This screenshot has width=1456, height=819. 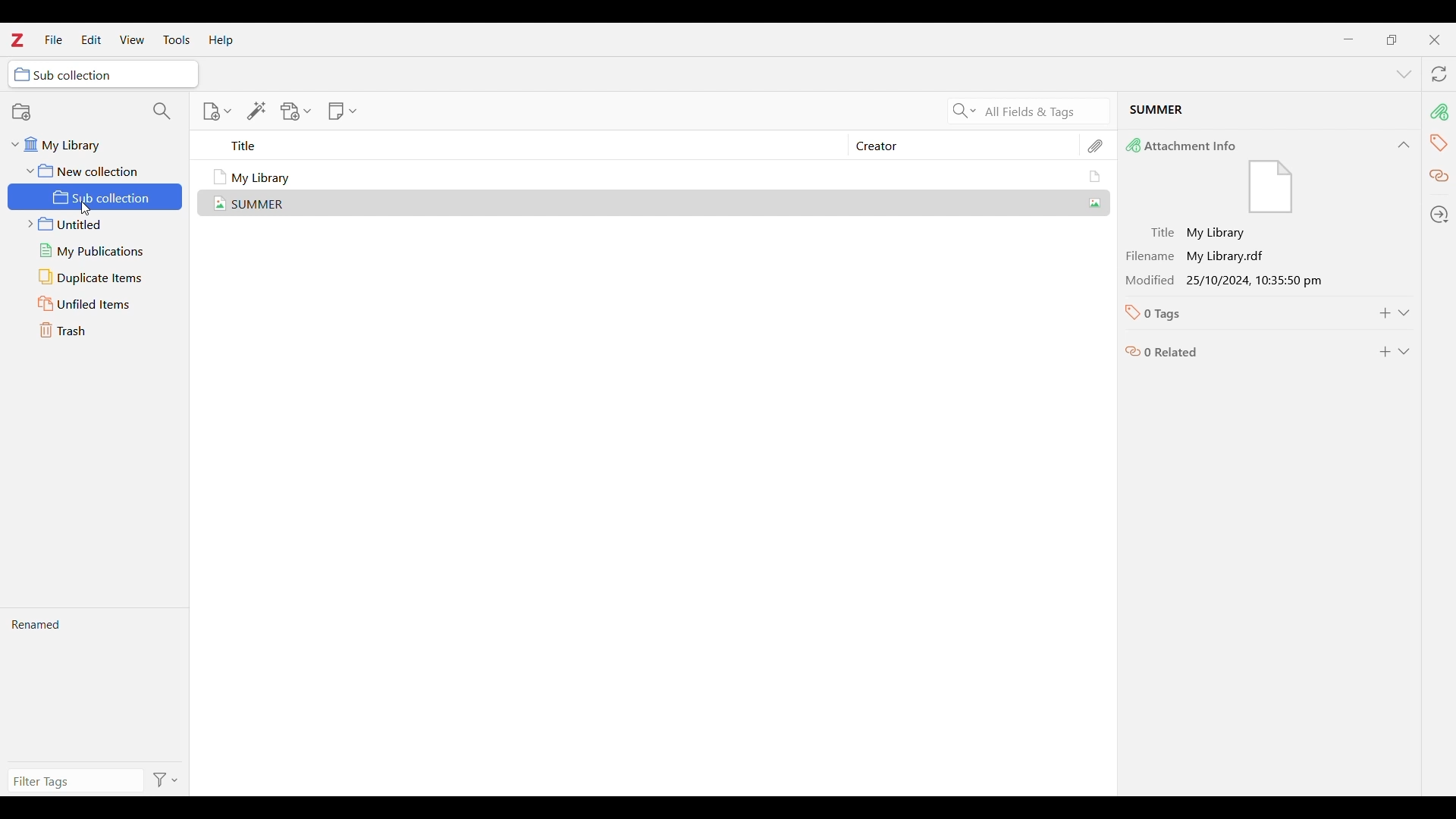 What do you see at coordinates (1250, 176) in the screenshot?
I see `Attachment Info` at bounding box center [1250, 176].